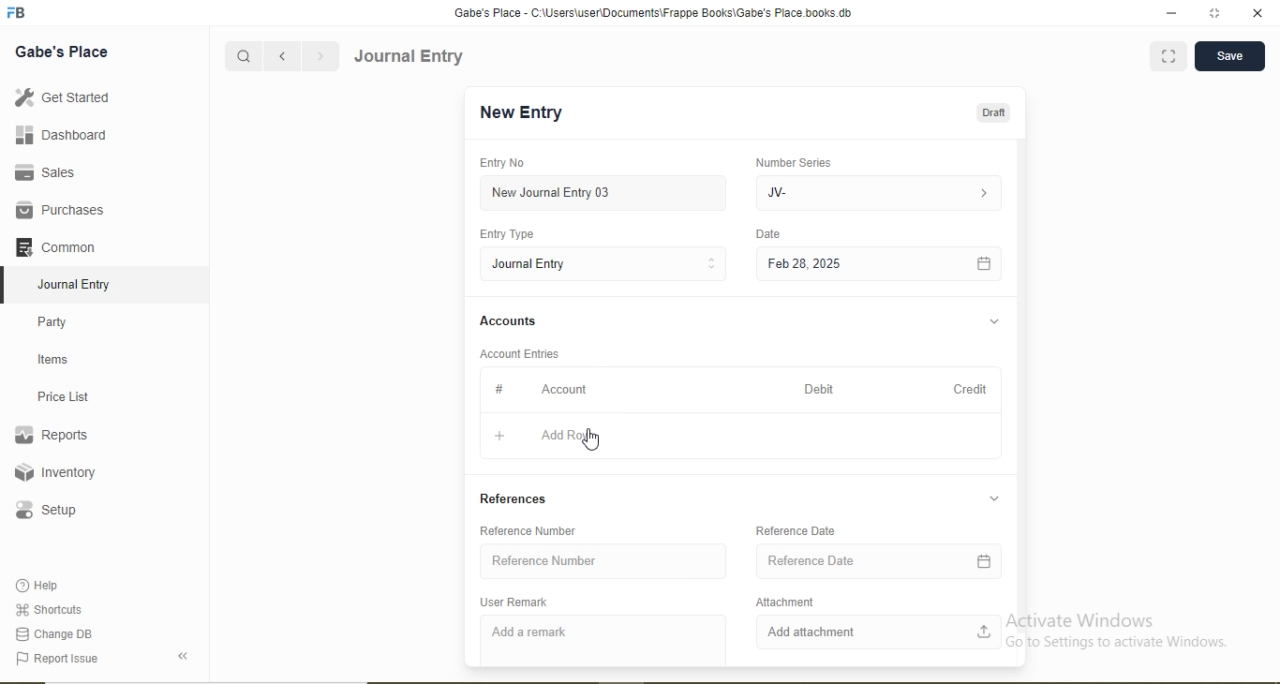 This screenshot has width=1280, height=684. Describe the element at coordinates (544, 560) in the screenshot. I see `Reference Number` at that location.